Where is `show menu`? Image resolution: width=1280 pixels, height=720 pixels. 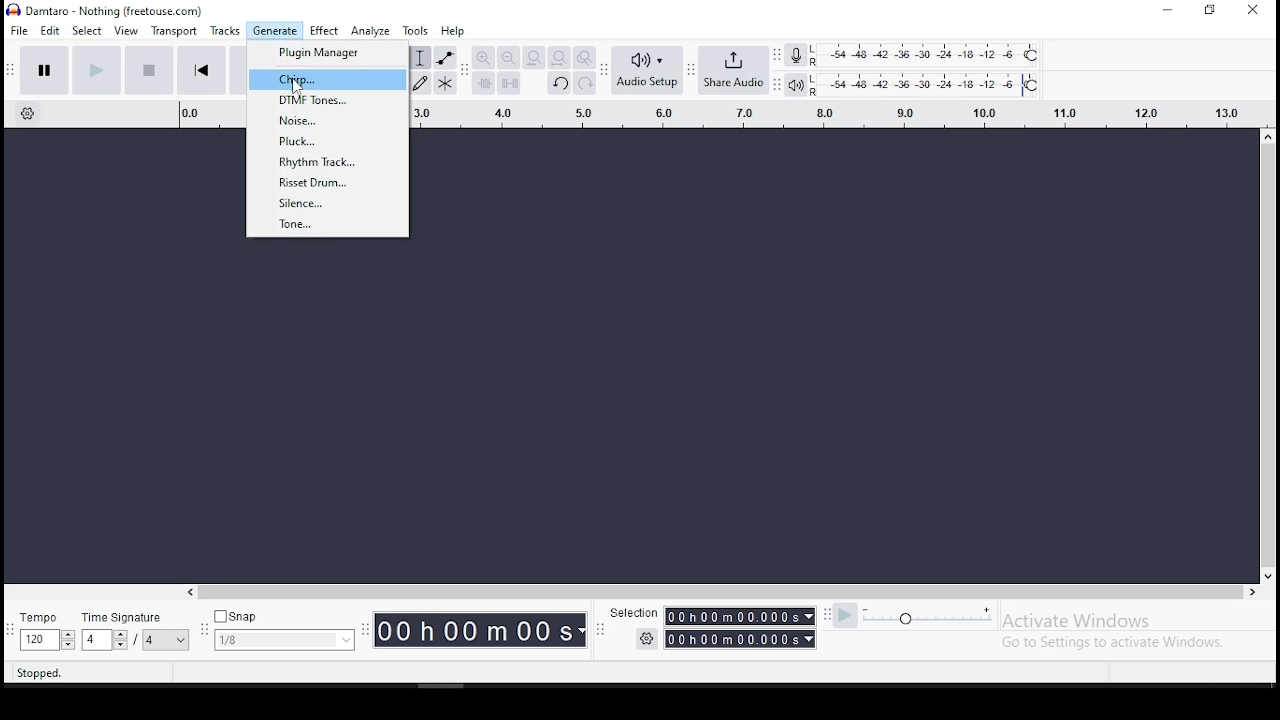 show menu is located at coordinates (366, 639).